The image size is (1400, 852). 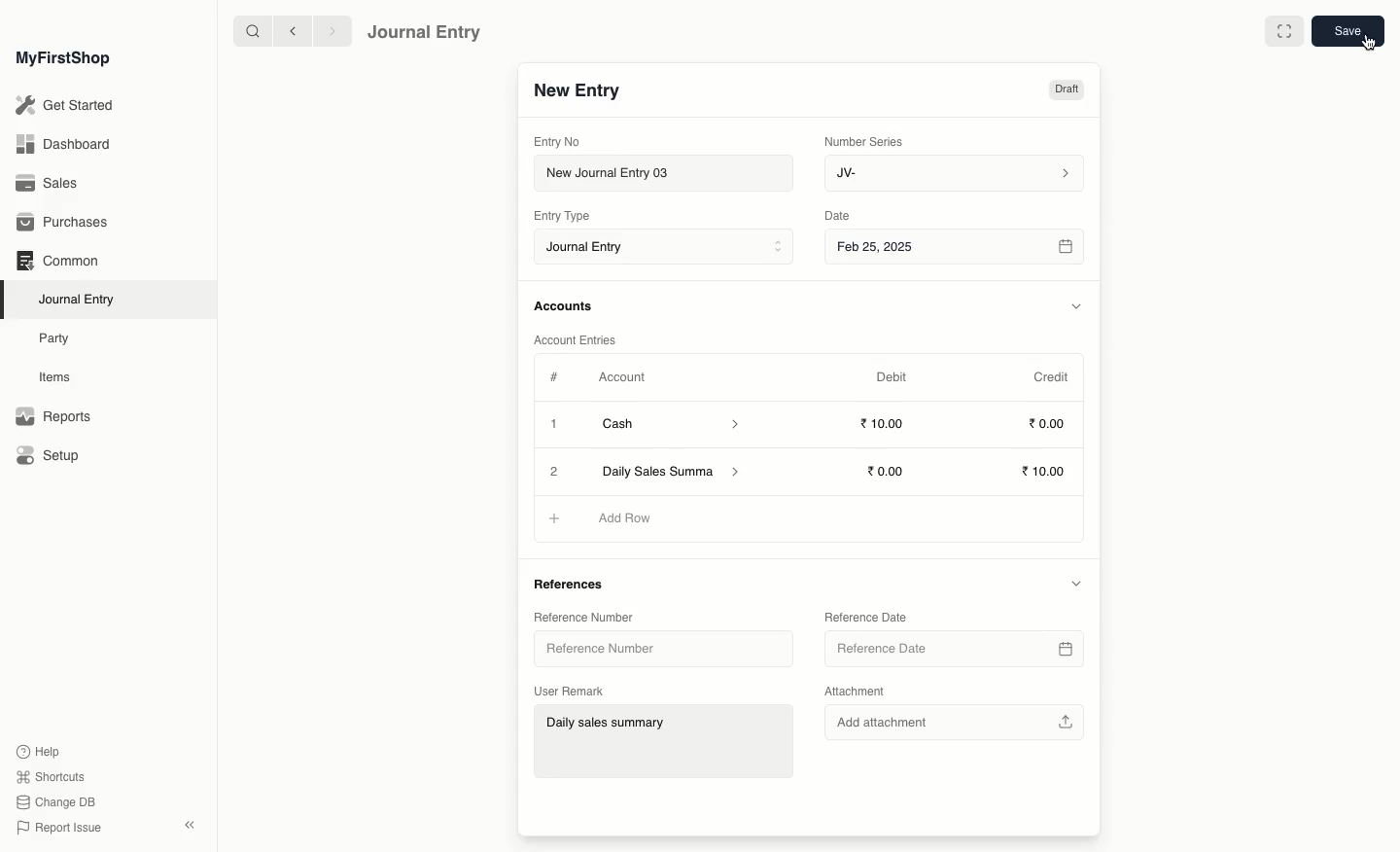 What do you see at coordinates (952, 649) in the screenshot?
I see `Reference Date` at bounding box center [952, 649].